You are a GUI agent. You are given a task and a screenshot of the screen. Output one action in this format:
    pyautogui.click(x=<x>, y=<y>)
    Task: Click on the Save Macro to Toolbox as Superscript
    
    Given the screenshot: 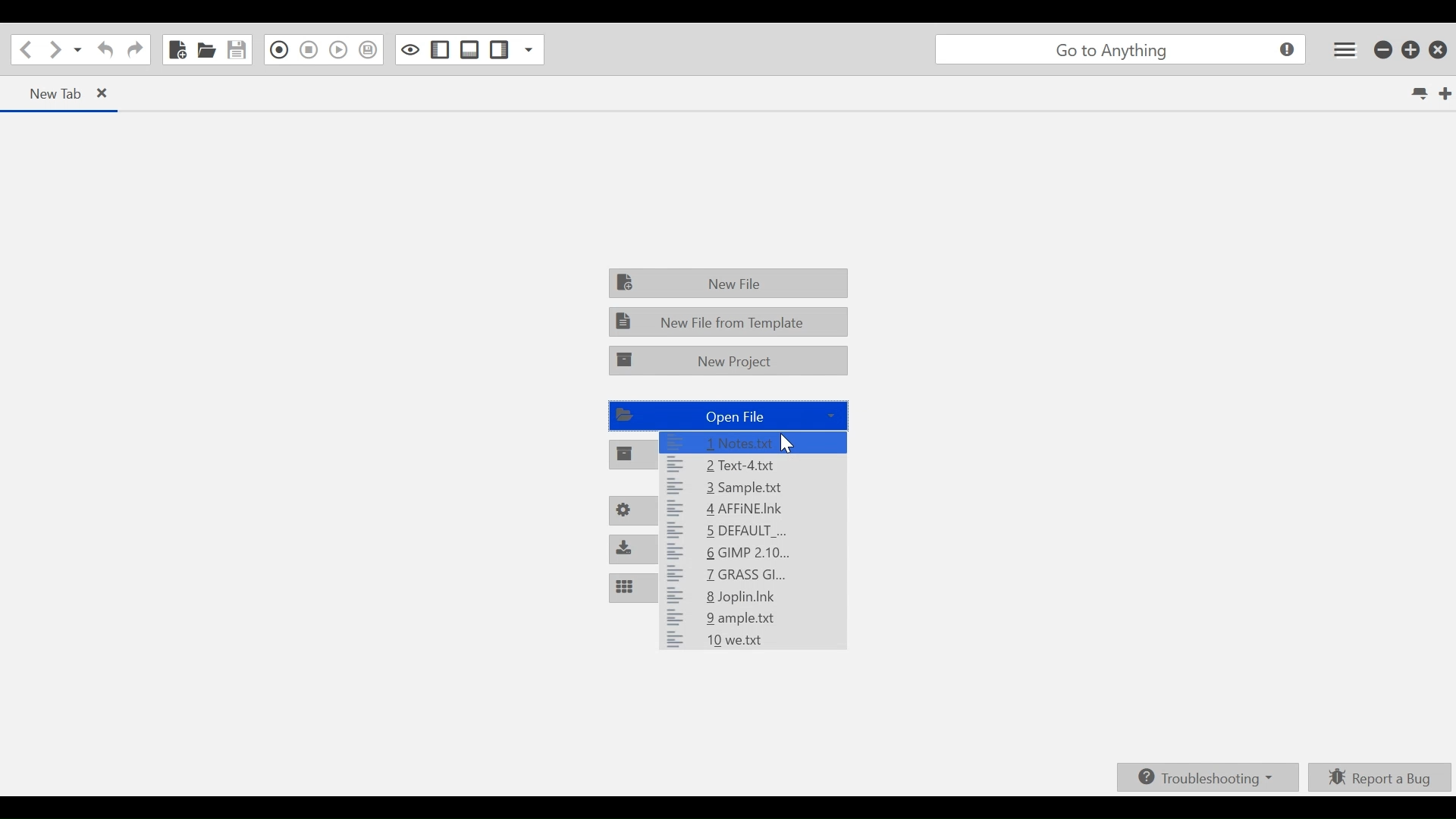 What is the action you would take?
    pyautogui.click(x=369, y=51)
    